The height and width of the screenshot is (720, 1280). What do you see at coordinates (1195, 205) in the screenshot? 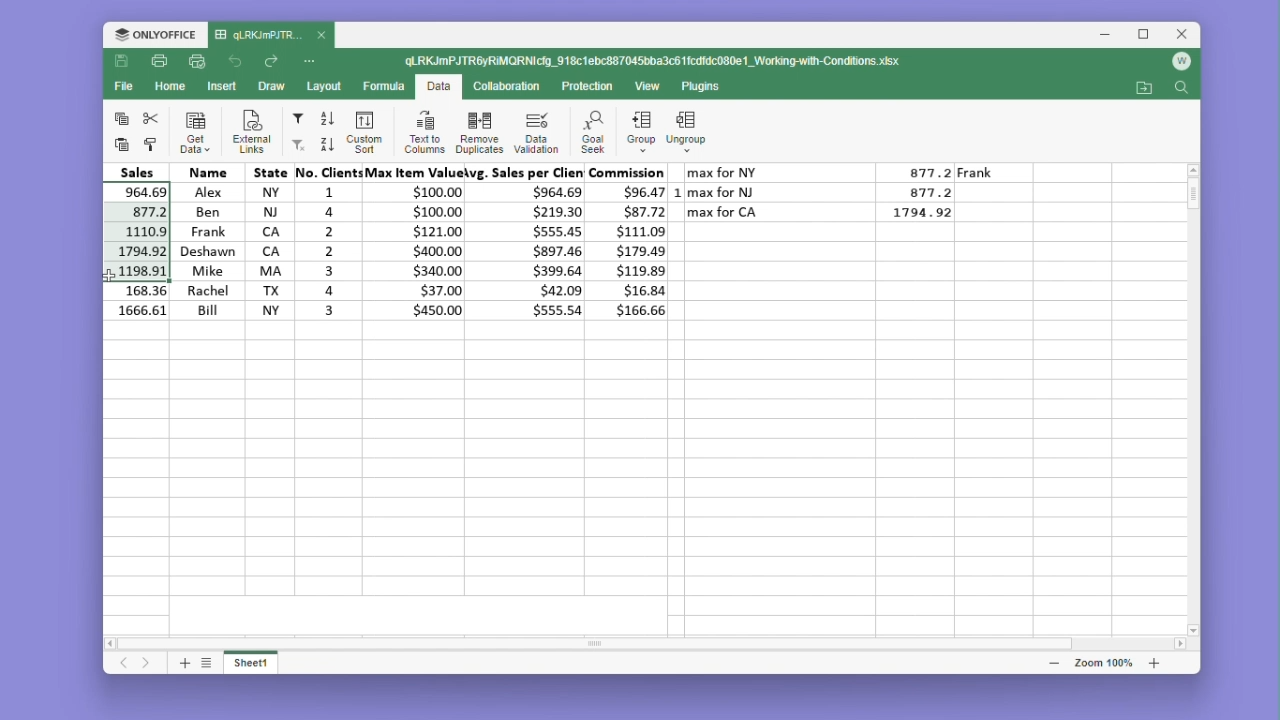
I see `Vertical scroll bar` at bounding box center [1195, 205].